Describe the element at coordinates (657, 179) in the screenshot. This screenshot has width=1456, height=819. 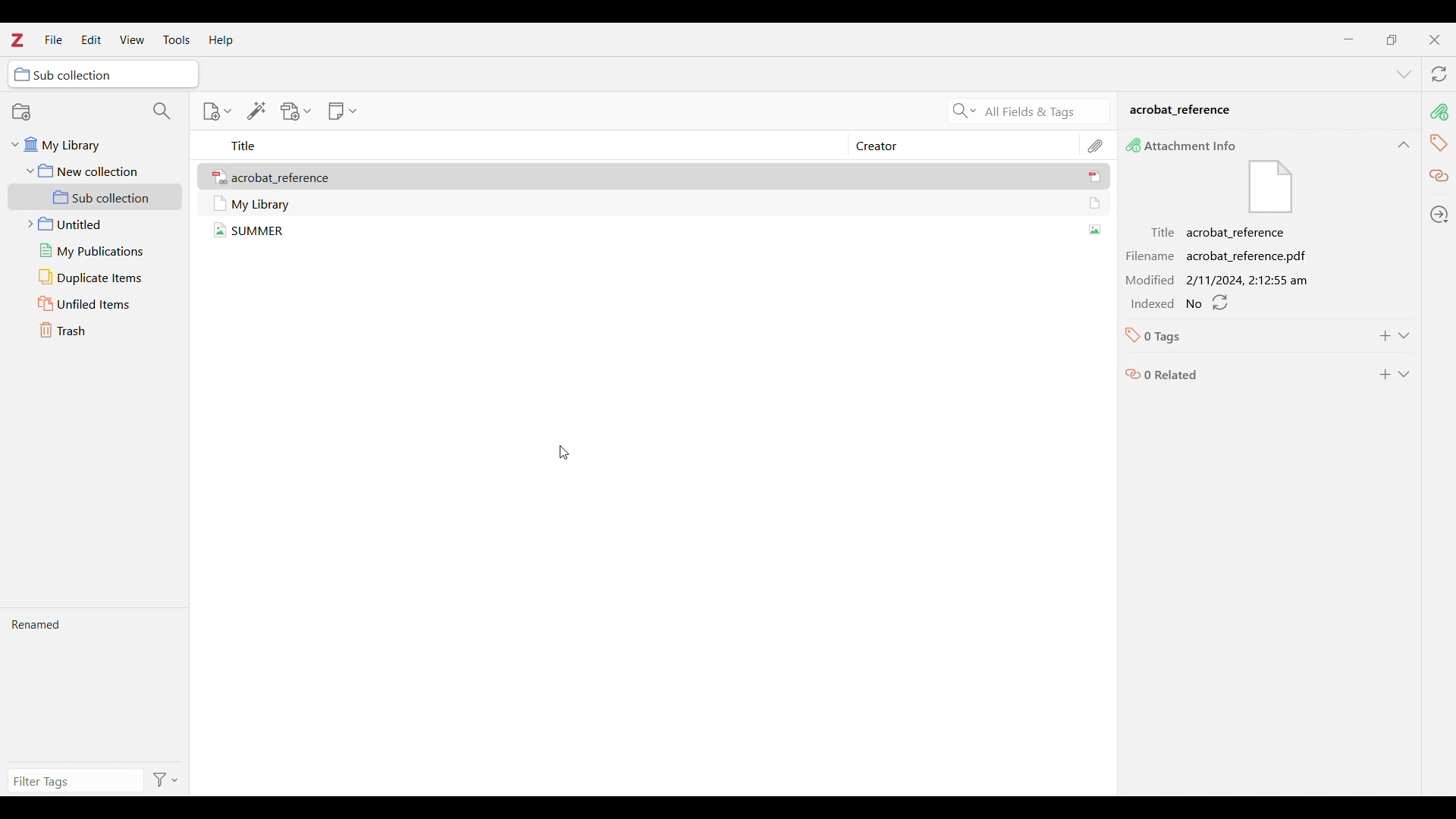
I see `PDF linked to selected collection` at that location.